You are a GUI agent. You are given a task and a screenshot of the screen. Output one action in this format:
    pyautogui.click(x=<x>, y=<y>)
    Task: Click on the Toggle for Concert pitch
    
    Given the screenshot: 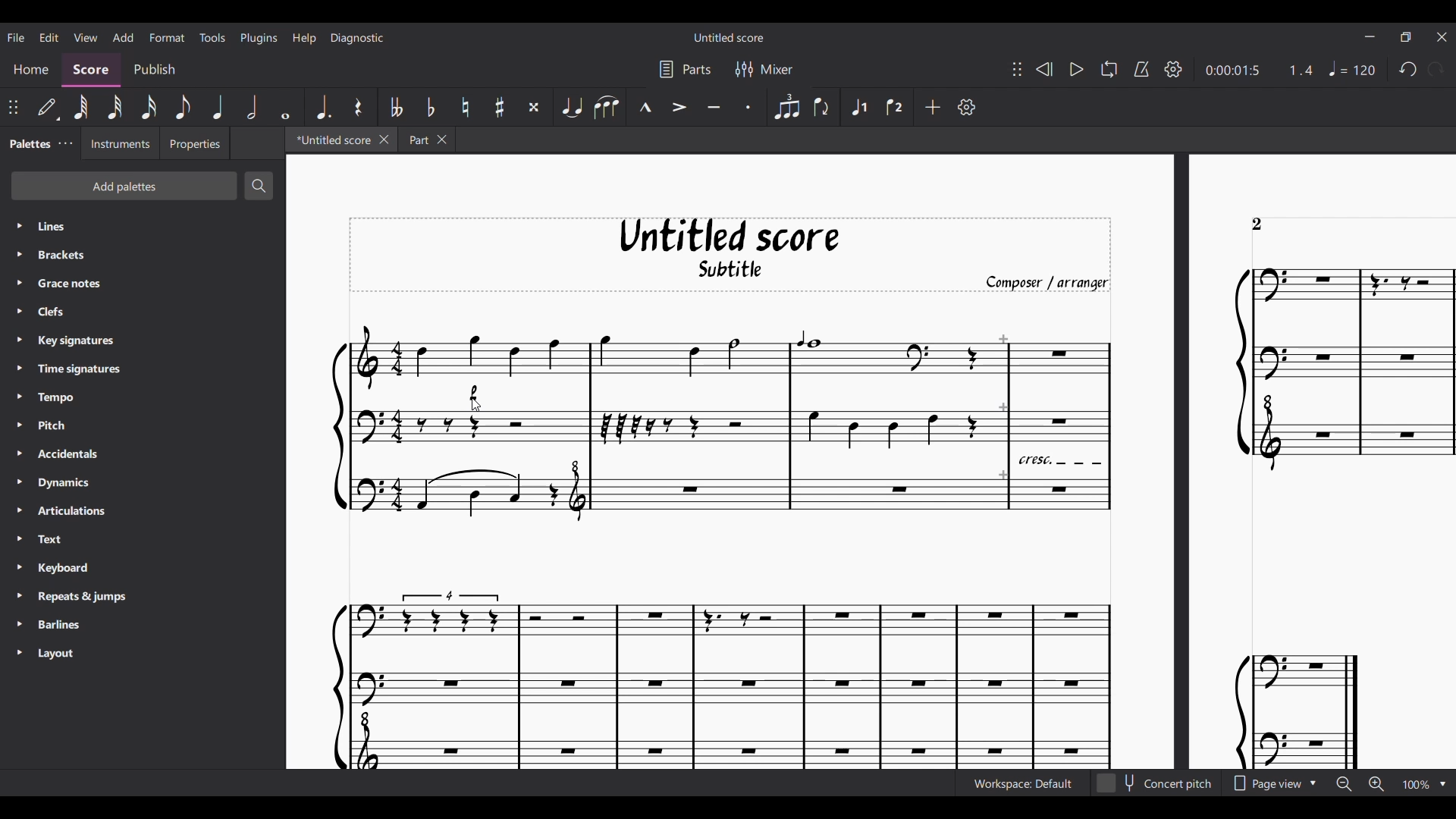 What is the action you would take?
    pyautogui.click(x=1156, y=783)
    